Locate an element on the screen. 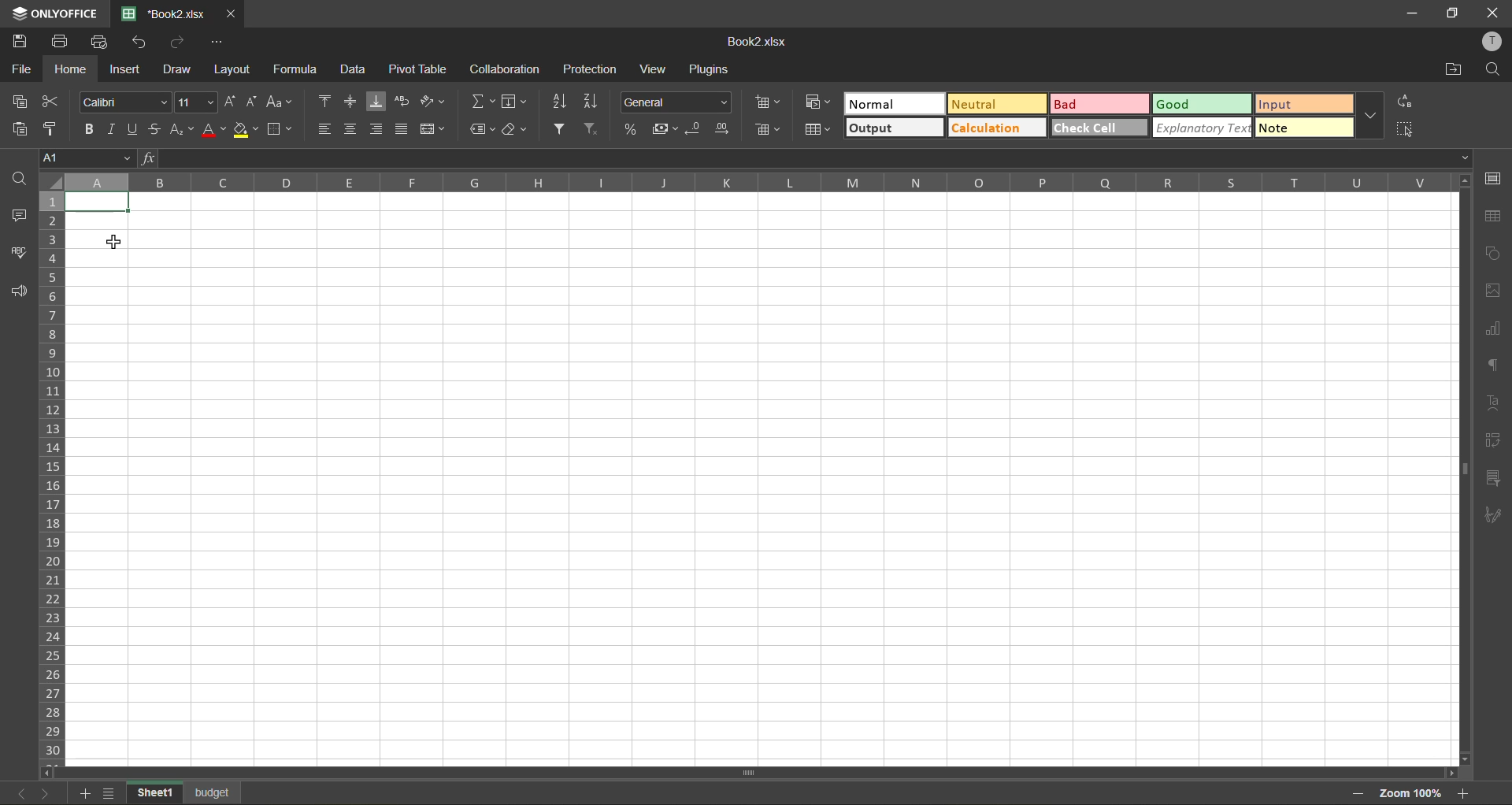 The image size is (1512, 805). undo is located at coordinates (143, 42).